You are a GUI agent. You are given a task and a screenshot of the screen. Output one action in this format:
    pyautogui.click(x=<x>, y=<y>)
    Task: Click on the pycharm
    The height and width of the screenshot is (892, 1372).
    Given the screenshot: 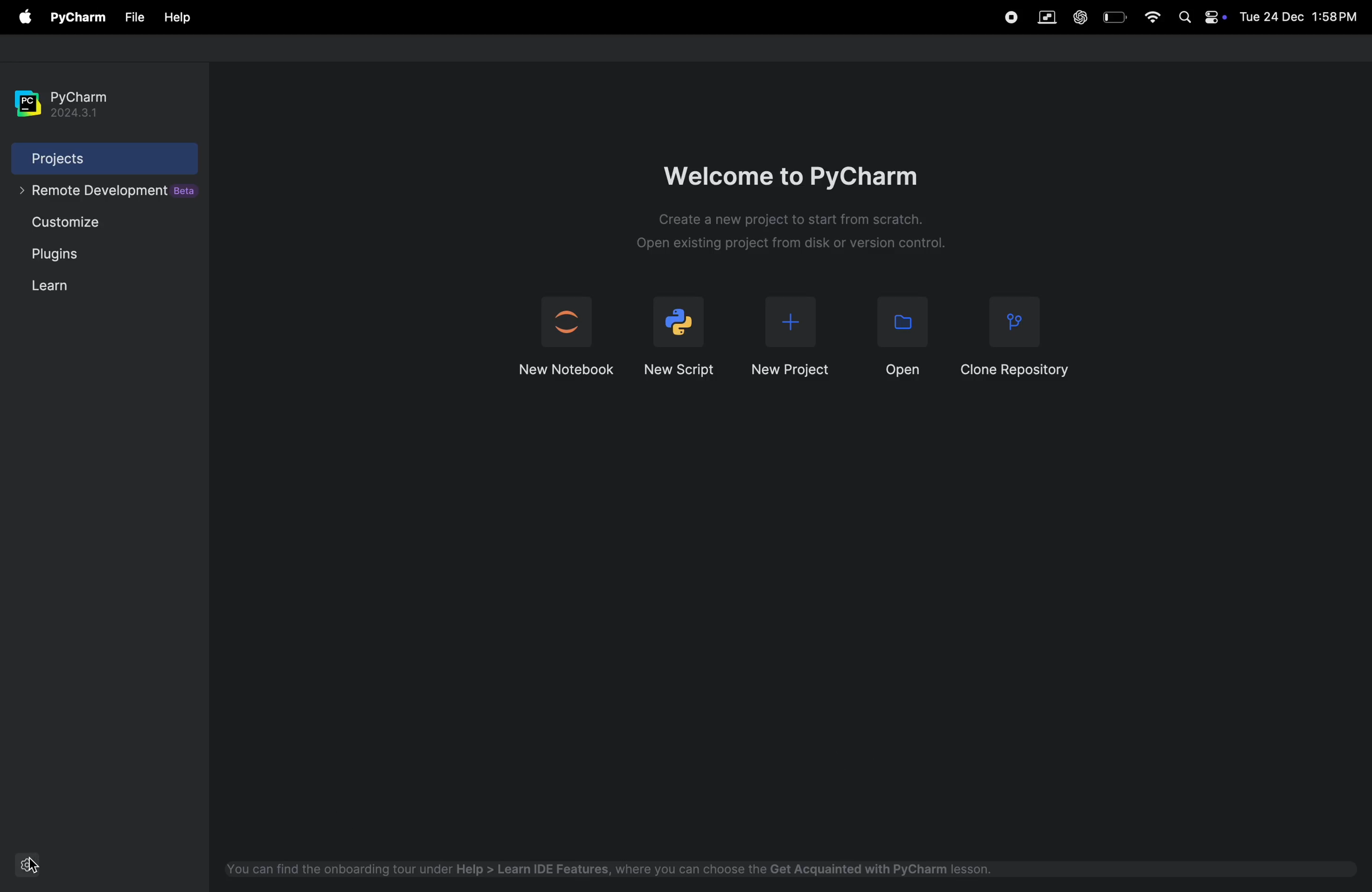 What is the action you would take?
    pyautogui.click(x=78, y=16)
    